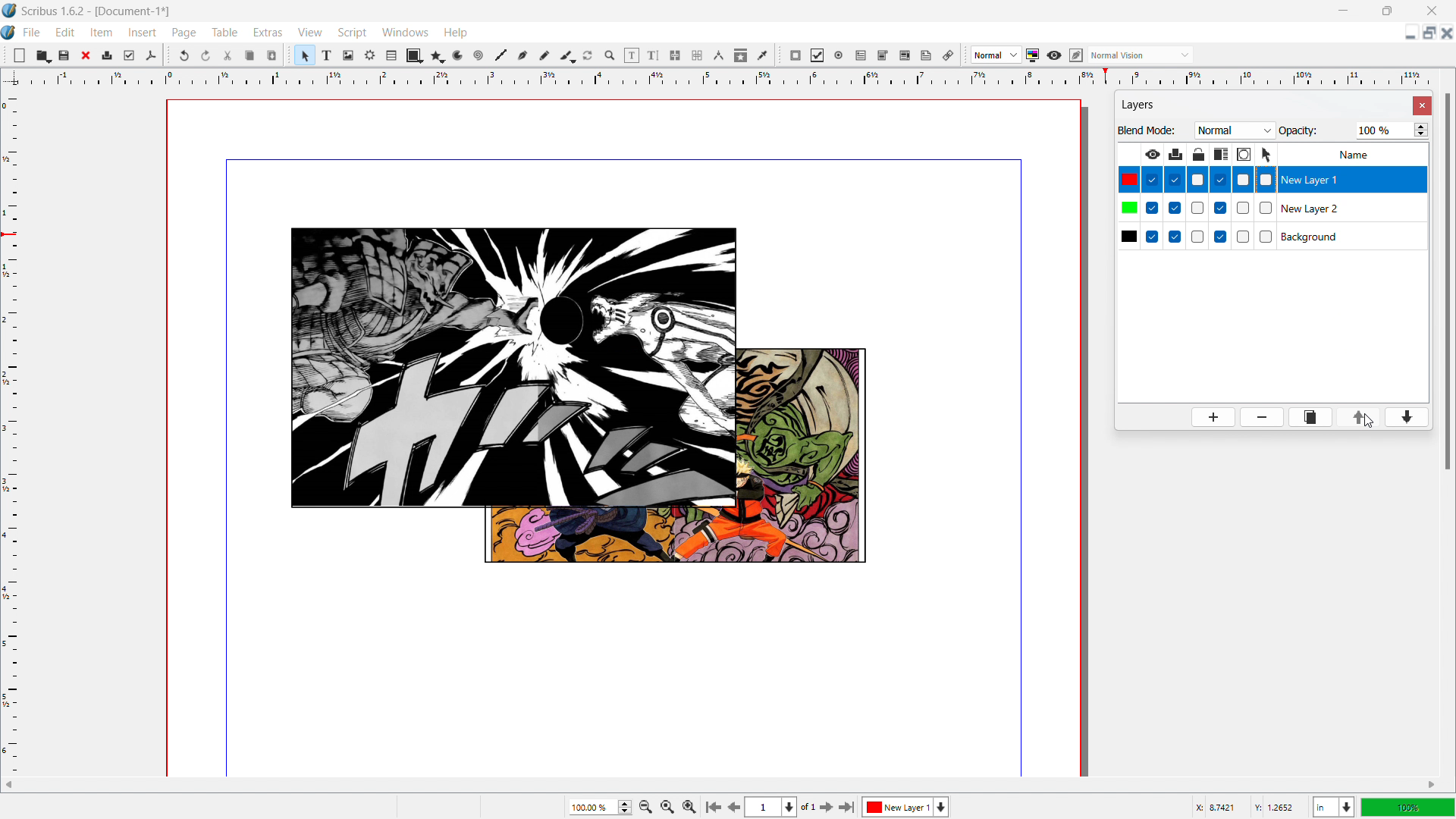 The width and height of the screenshot is (1456, 819). Describe the element at coordinates (948, 55) in the screenshot. I see `link the annotation` at that location.